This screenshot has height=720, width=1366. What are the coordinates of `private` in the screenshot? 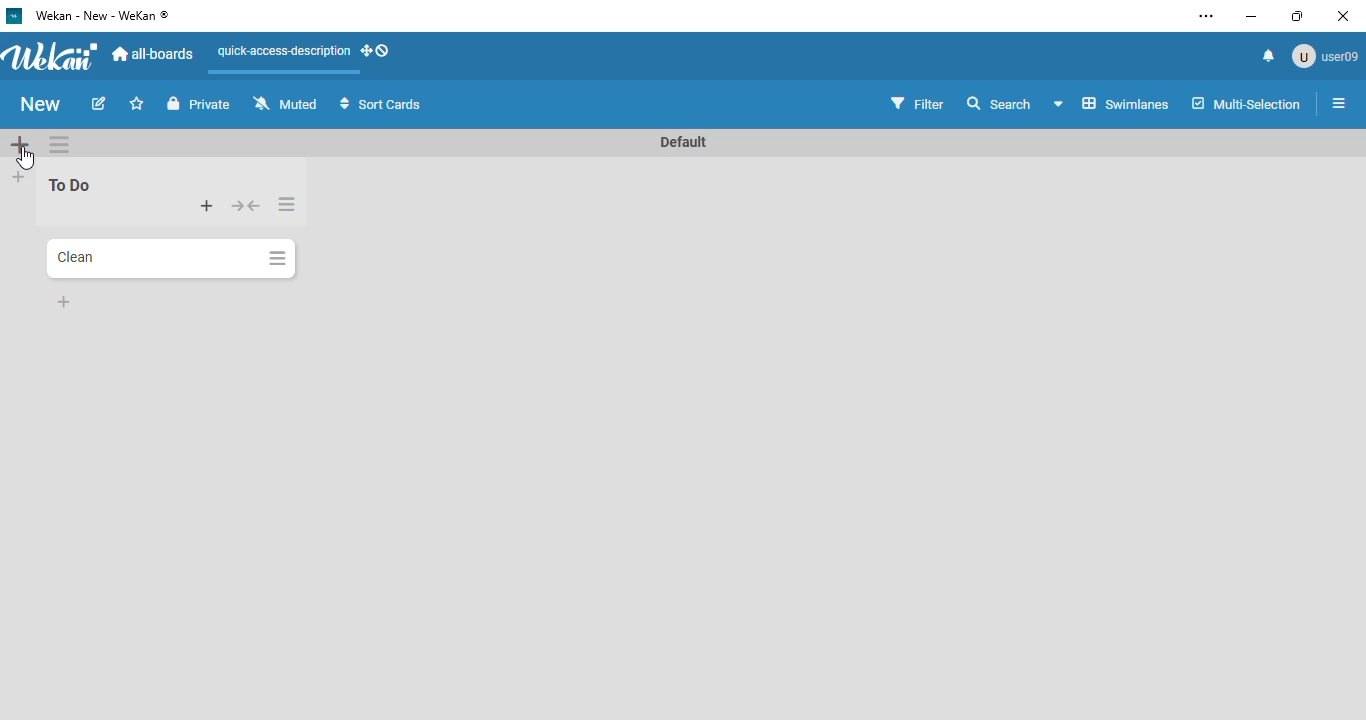 It's located at (200, 103).